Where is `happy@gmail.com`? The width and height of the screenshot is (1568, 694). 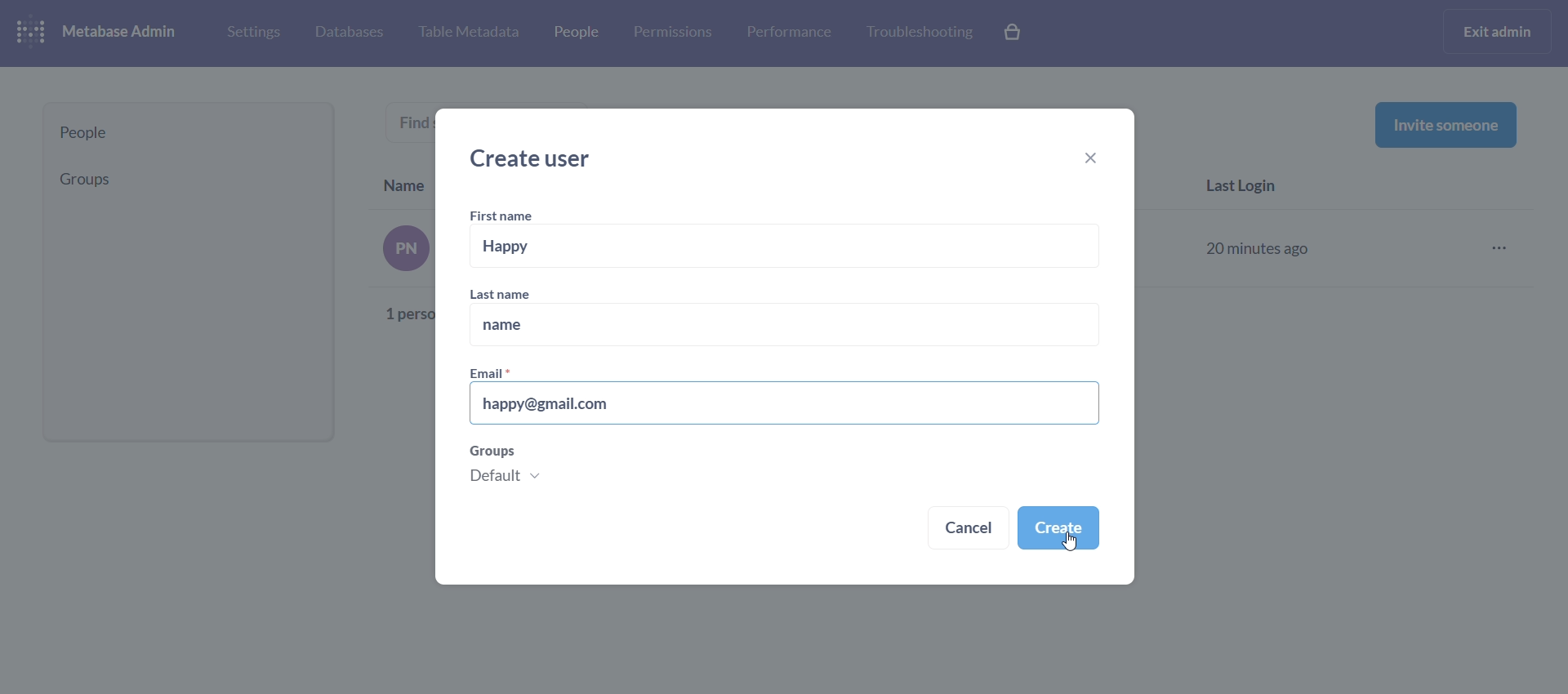
happy@gmail.com is located at coordinates (785, 403).